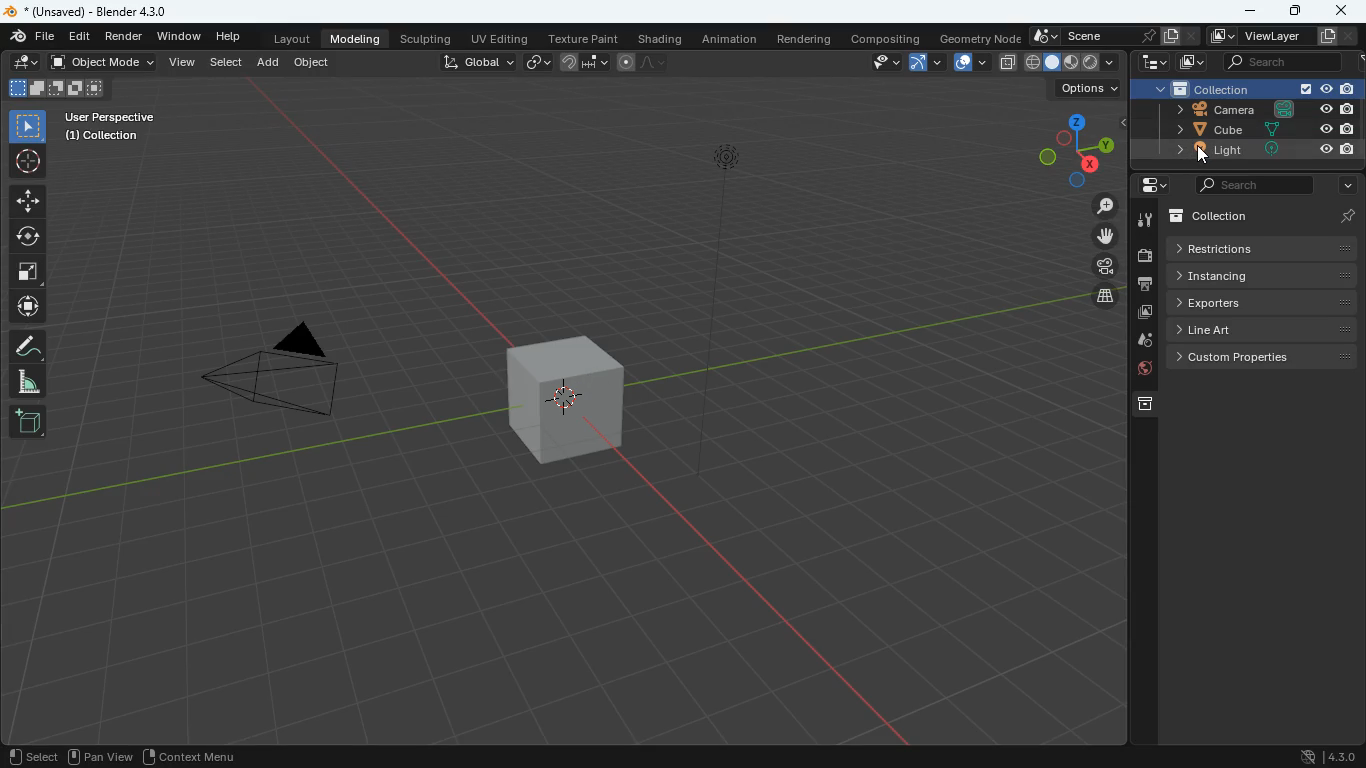 This screenshot has width=1366, height=768. Describe the element at coordinates (879, 62) in the screenshot. I see `select` at that location.